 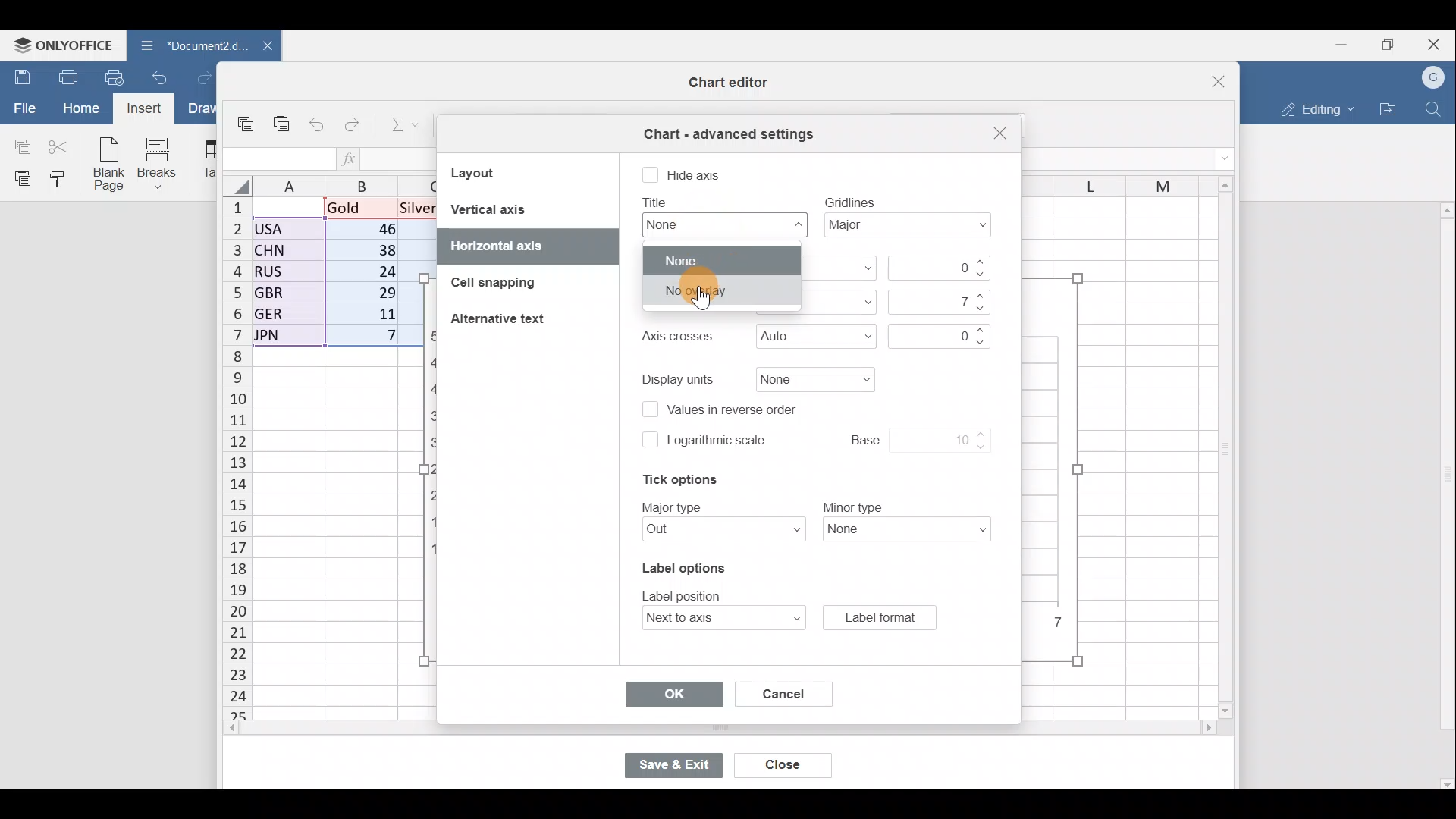 What do you see at coordinates (742, 411) in the screenshot?
I see `Values in reverse order` at bounding box center [742, 411].